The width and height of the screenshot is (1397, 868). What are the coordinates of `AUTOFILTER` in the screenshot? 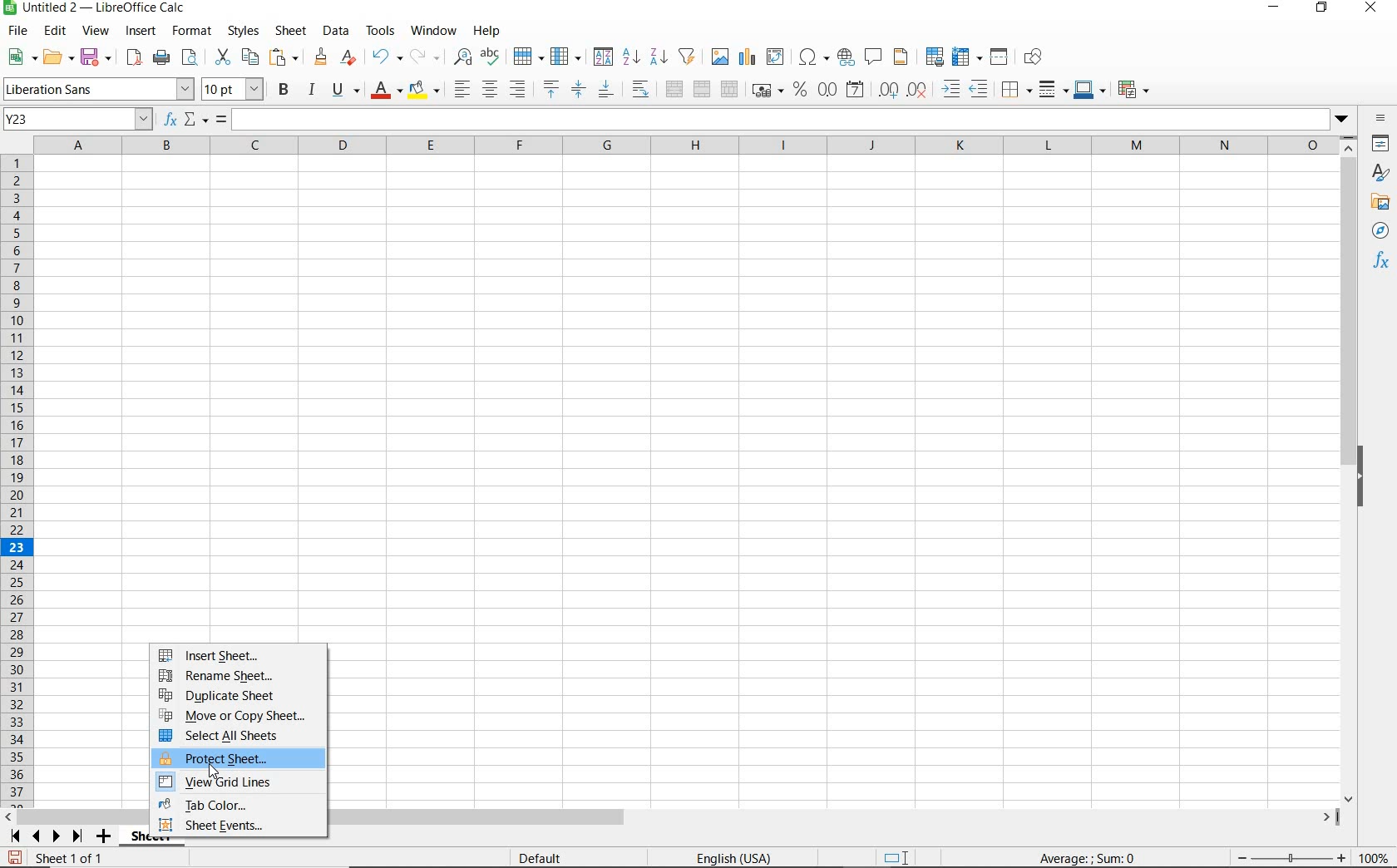 It's located at (688, 56).